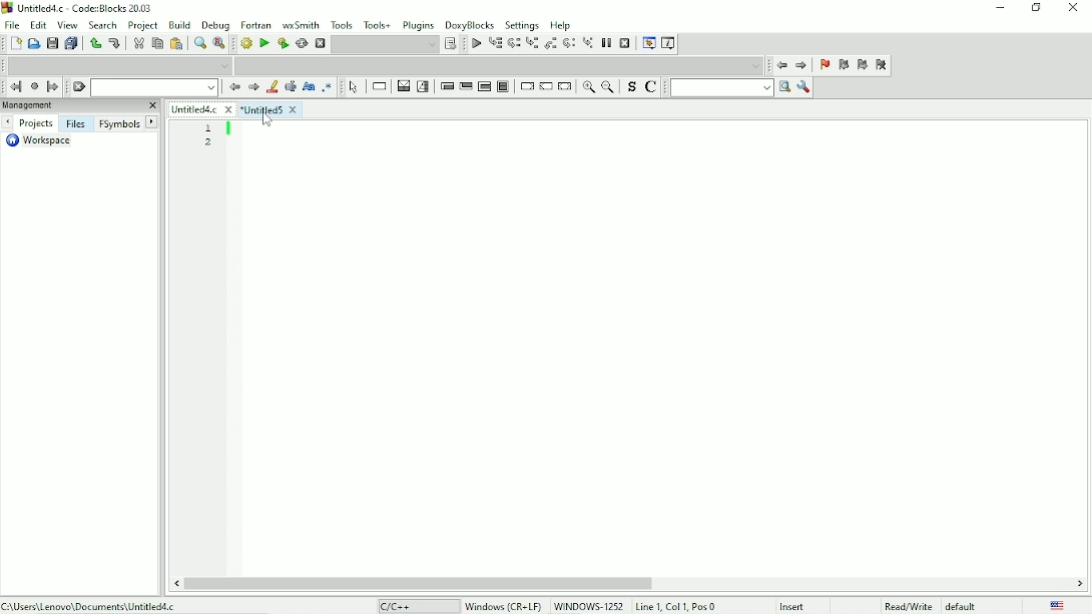  Describe the element at coordinates (272, 86) in the screenshot. I see `Highlight` at that location.